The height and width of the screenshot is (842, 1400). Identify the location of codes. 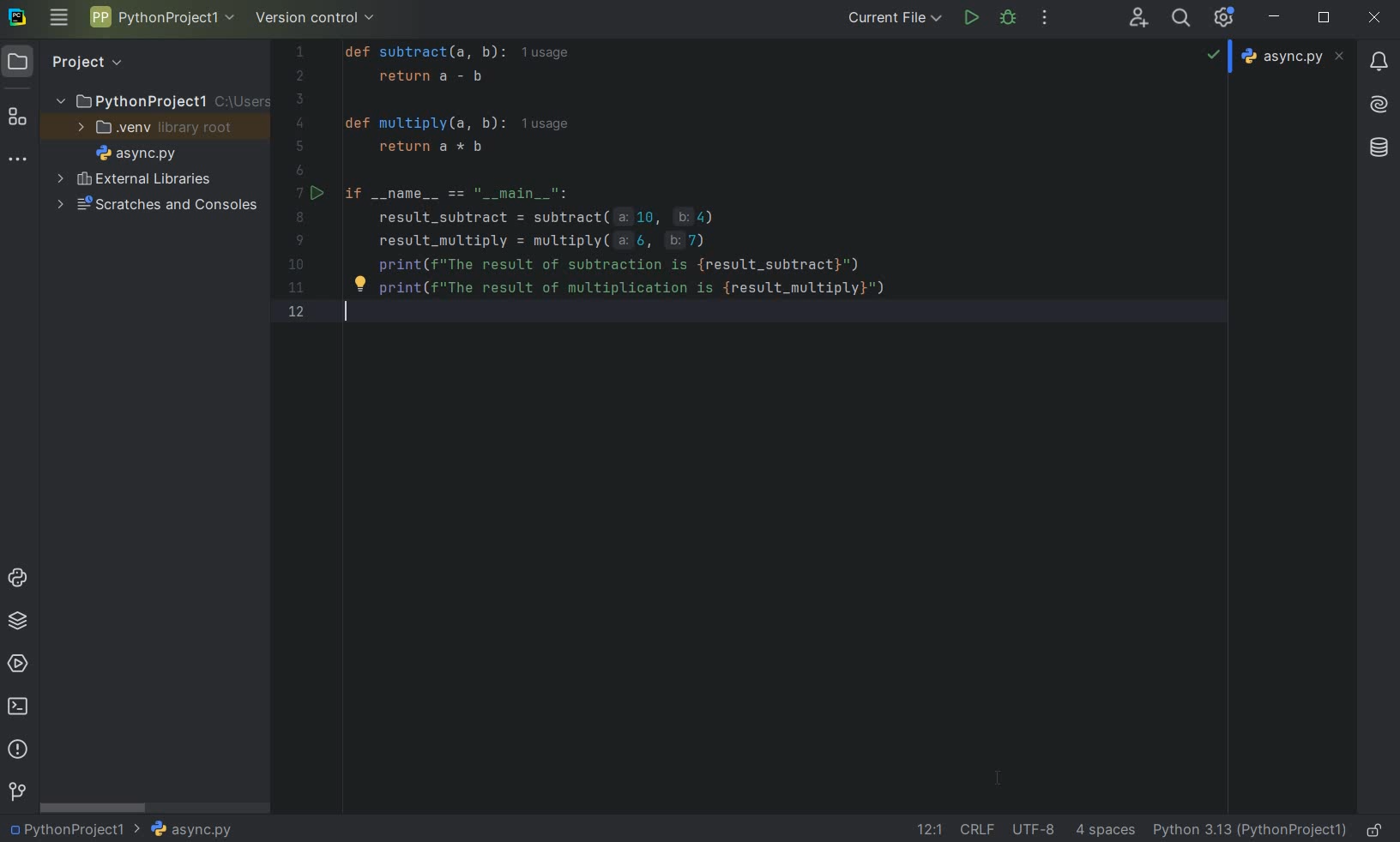
(739, 196).